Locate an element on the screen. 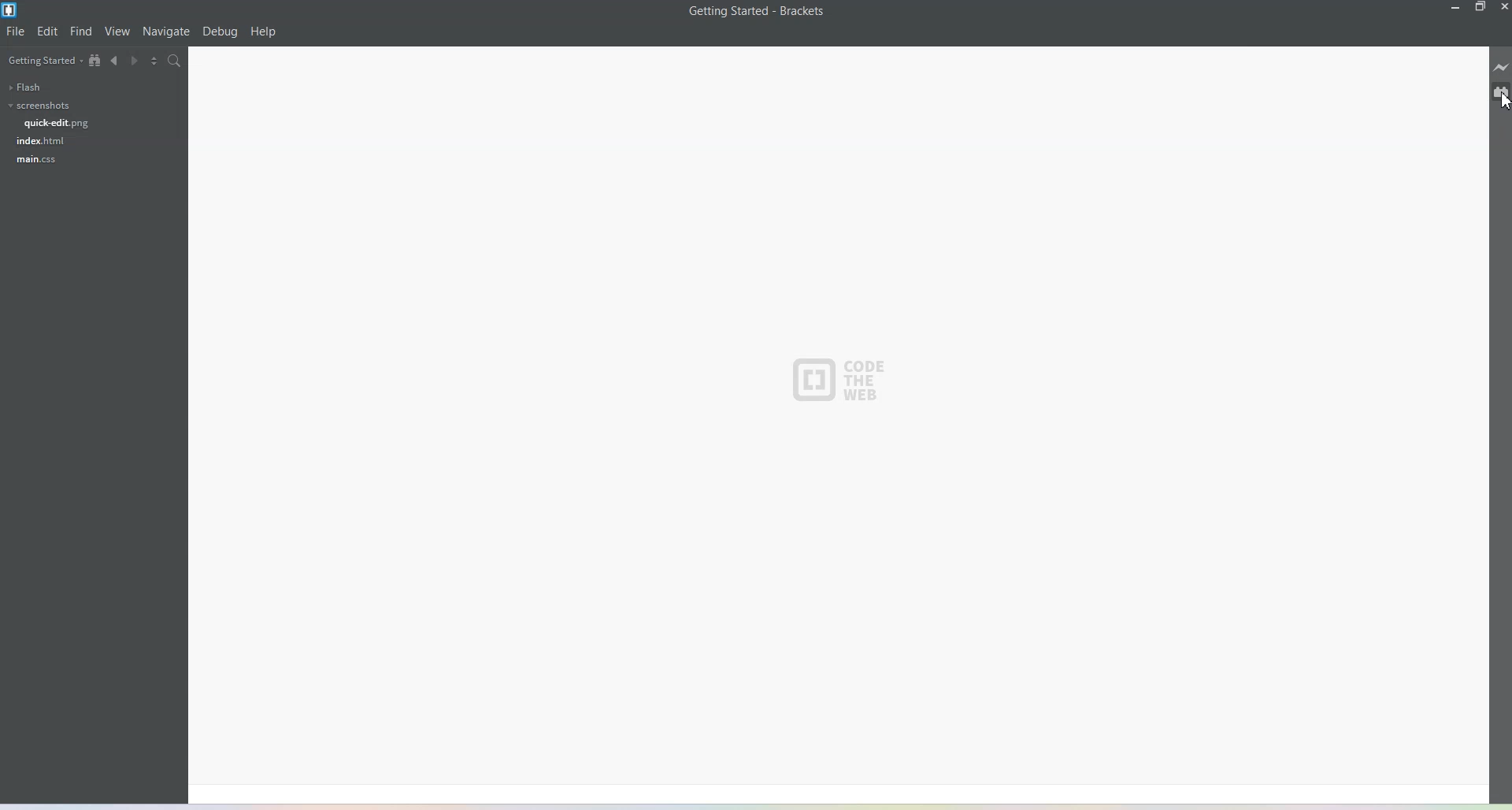  index.html is located at coordinates (42, 140).